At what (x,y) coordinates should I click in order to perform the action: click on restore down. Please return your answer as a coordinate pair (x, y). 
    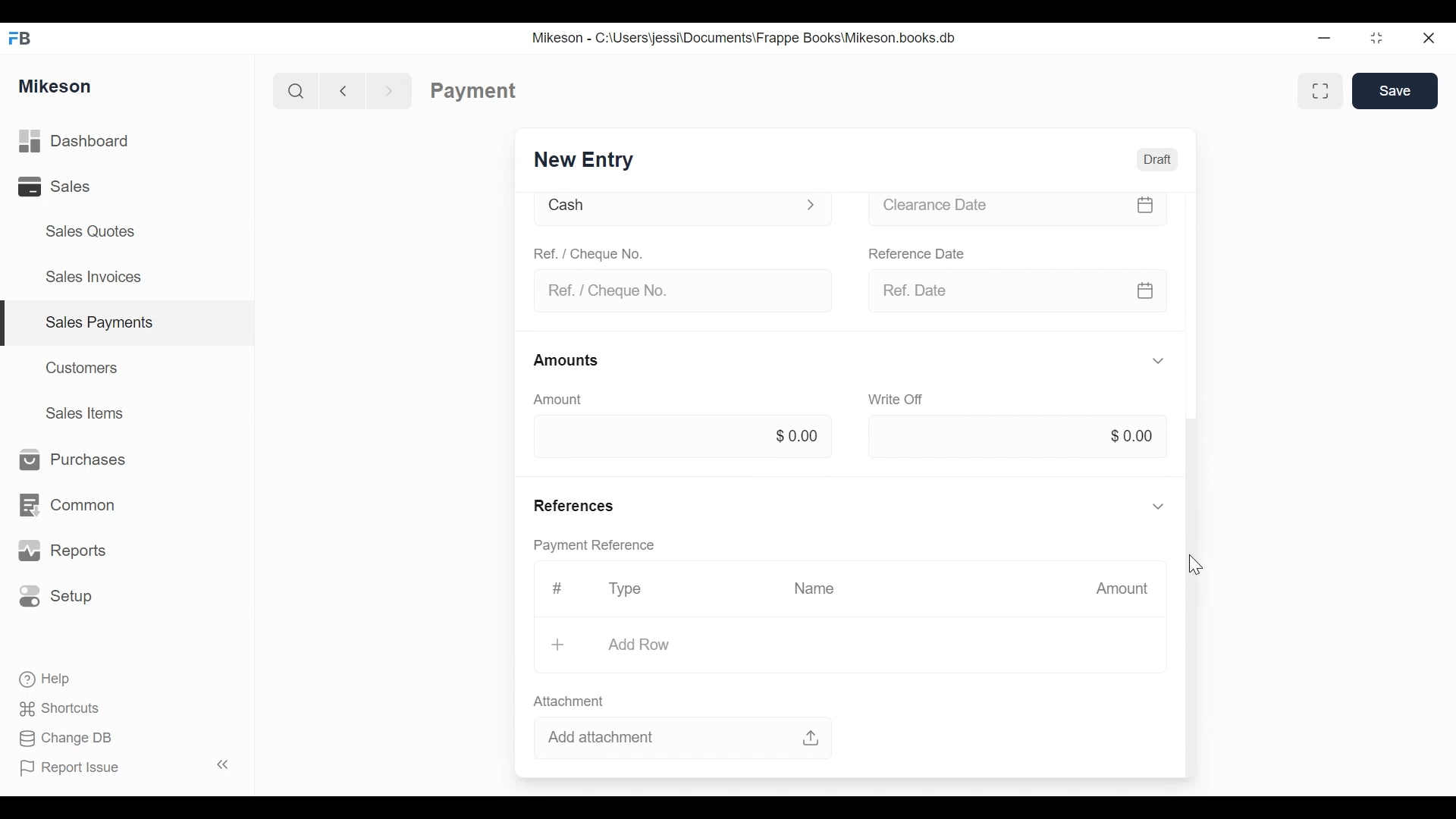
    Looking at the image, I should click on (1379, 39).